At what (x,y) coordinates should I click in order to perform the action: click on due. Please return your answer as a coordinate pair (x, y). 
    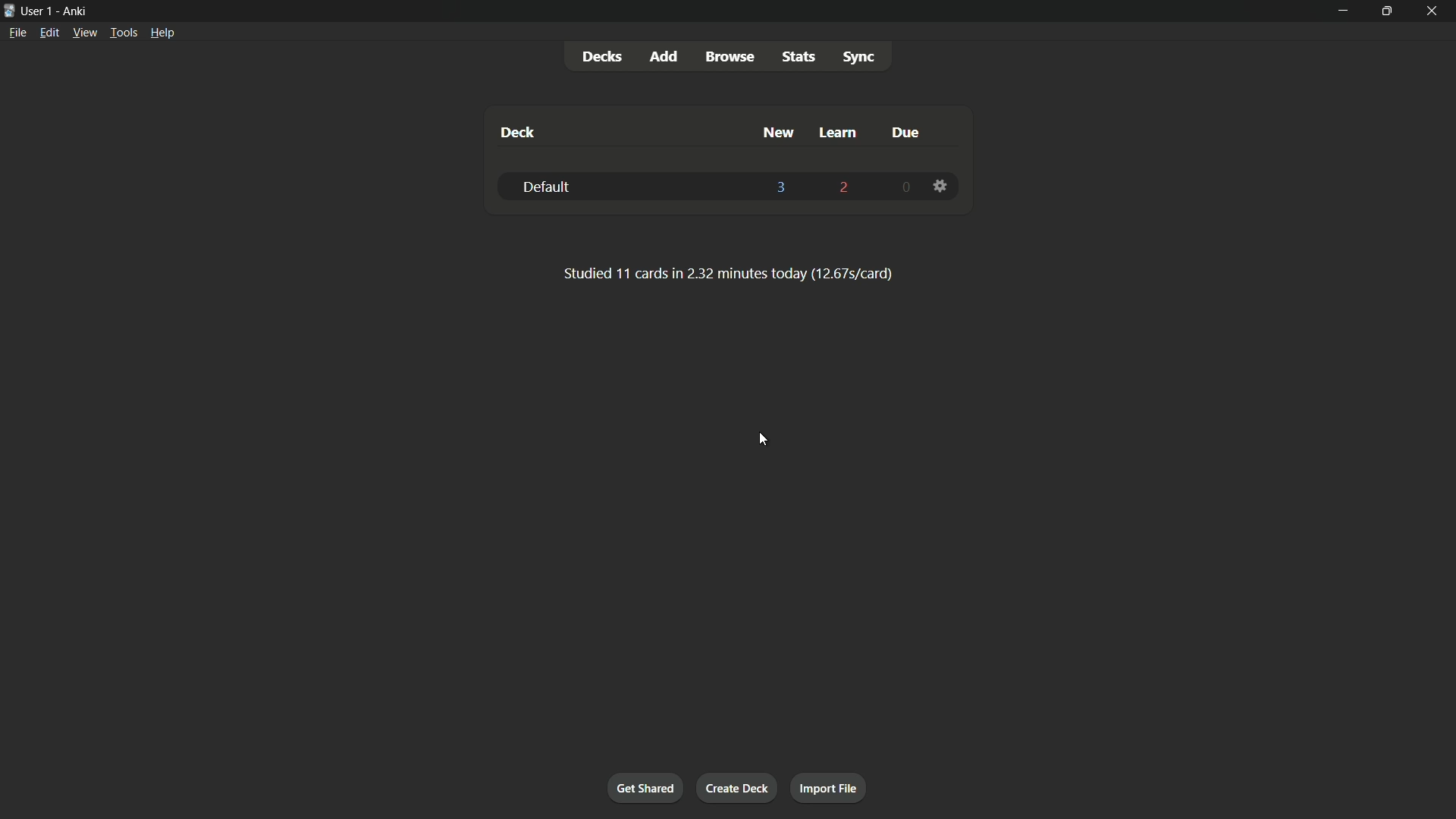
    Looking at the image, I should click on (906, 133).